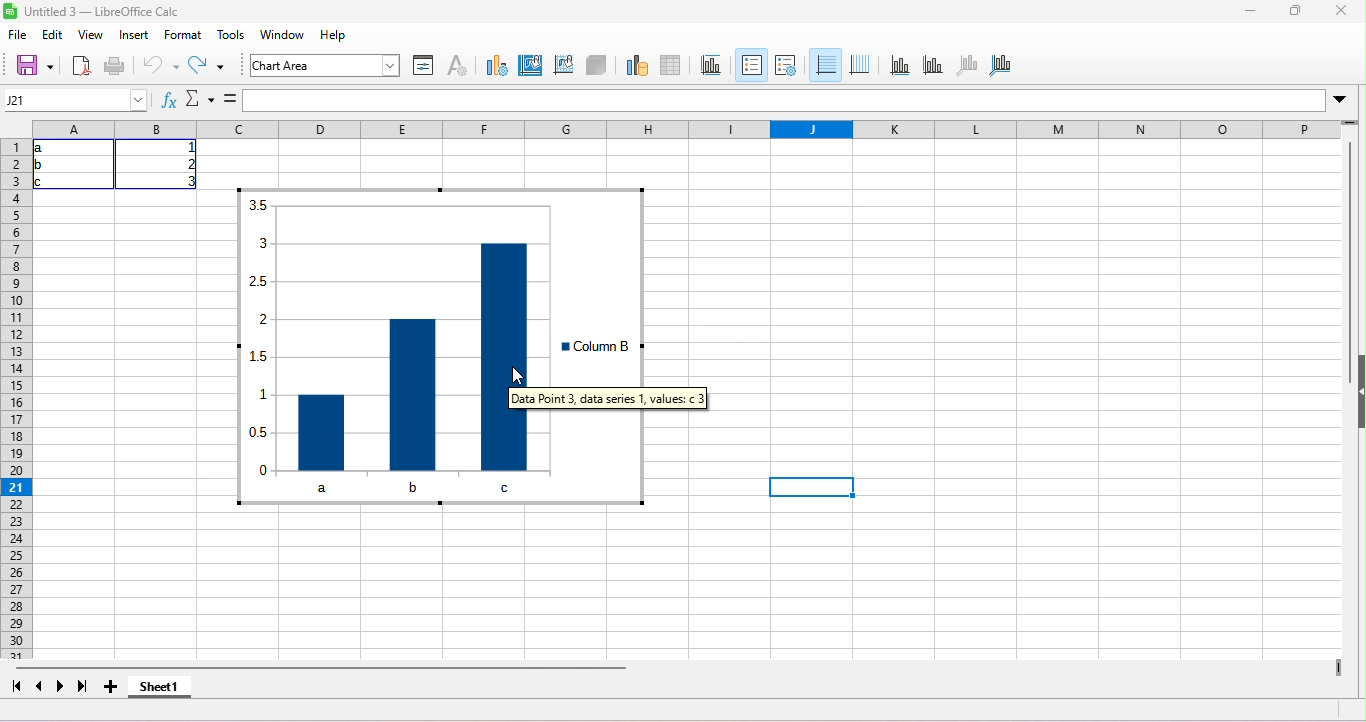  I want to click on legends on/off, so click(751, 62).